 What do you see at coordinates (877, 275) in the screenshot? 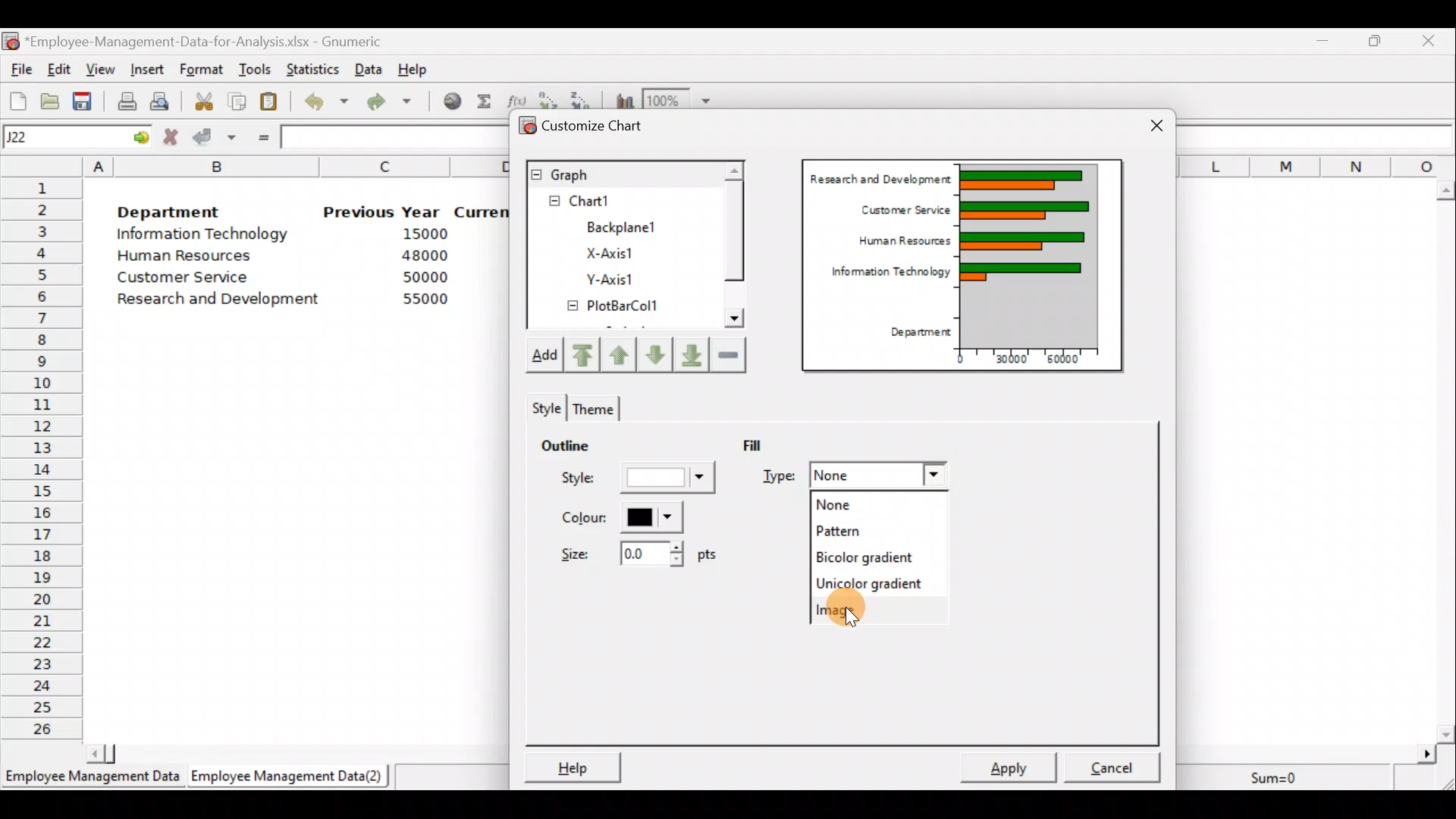
I see `Information Technology` at bounding box center [877, 275].